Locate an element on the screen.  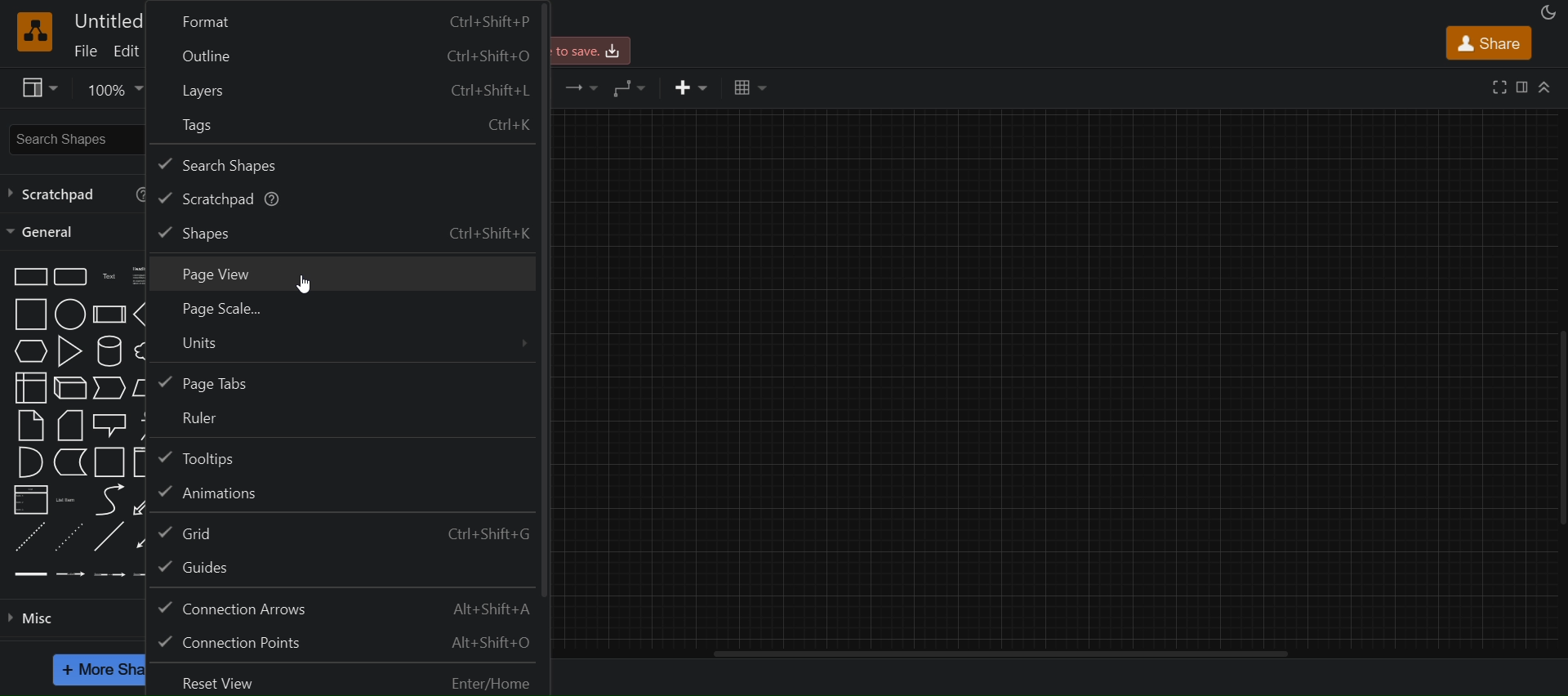
insert is located at coordinates (693, 87).